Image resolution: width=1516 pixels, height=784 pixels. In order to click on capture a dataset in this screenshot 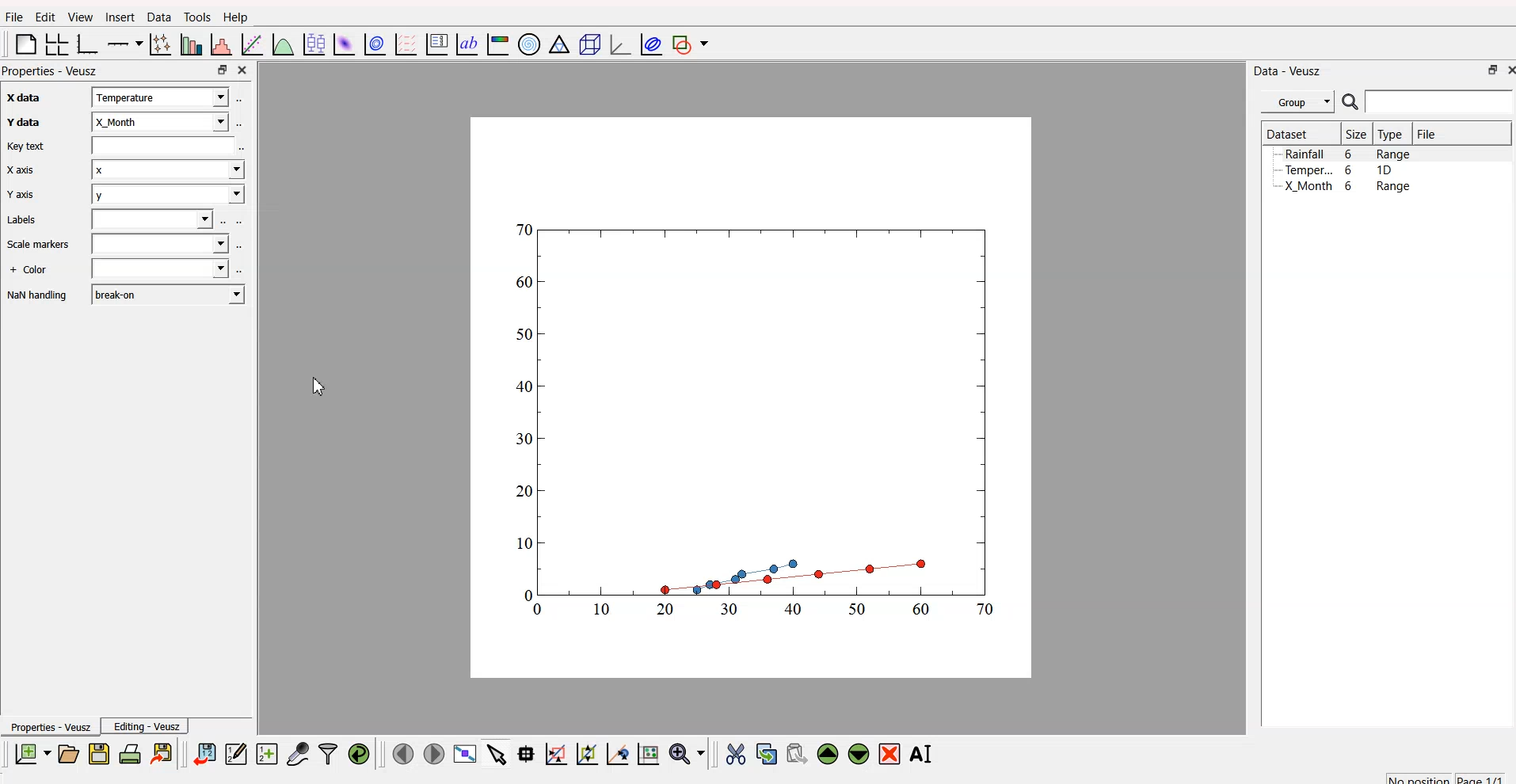, I will do `click(297, 751)`.